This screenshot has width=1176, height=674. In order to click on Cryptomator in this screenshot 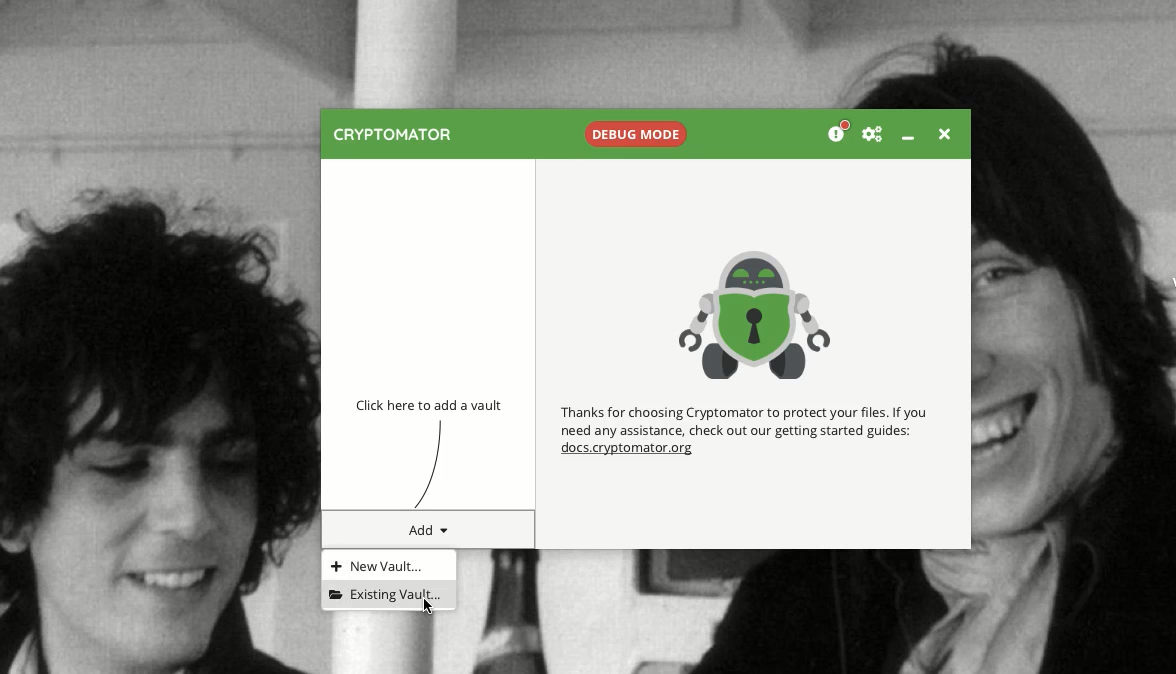, I will do `click(391, 136)`.